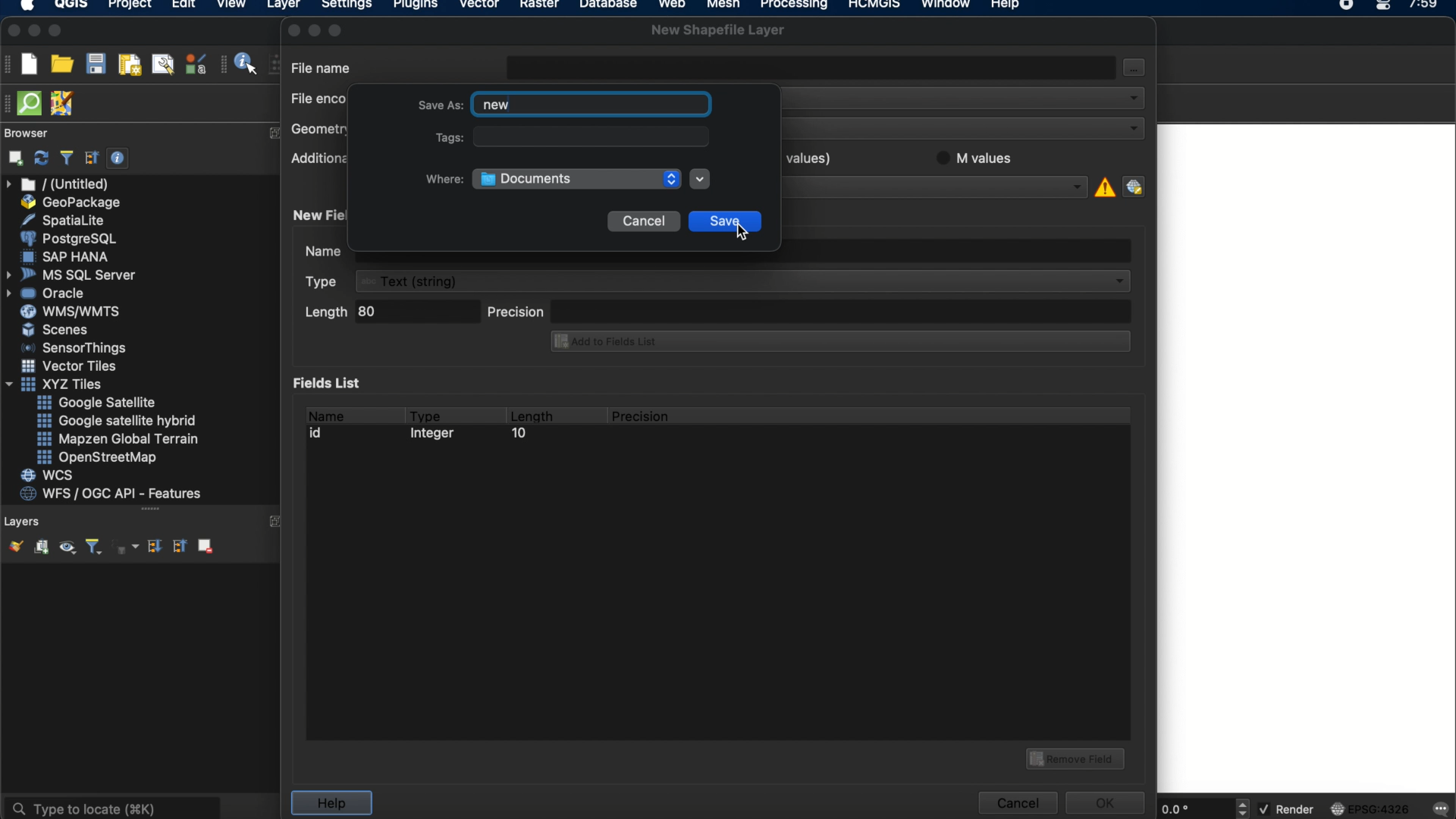 Image resolution: width=1456 pixels, height=819 pixels. Describe the element at coordinates (196, 64) in the screenshot. I see `style manager` at that location.